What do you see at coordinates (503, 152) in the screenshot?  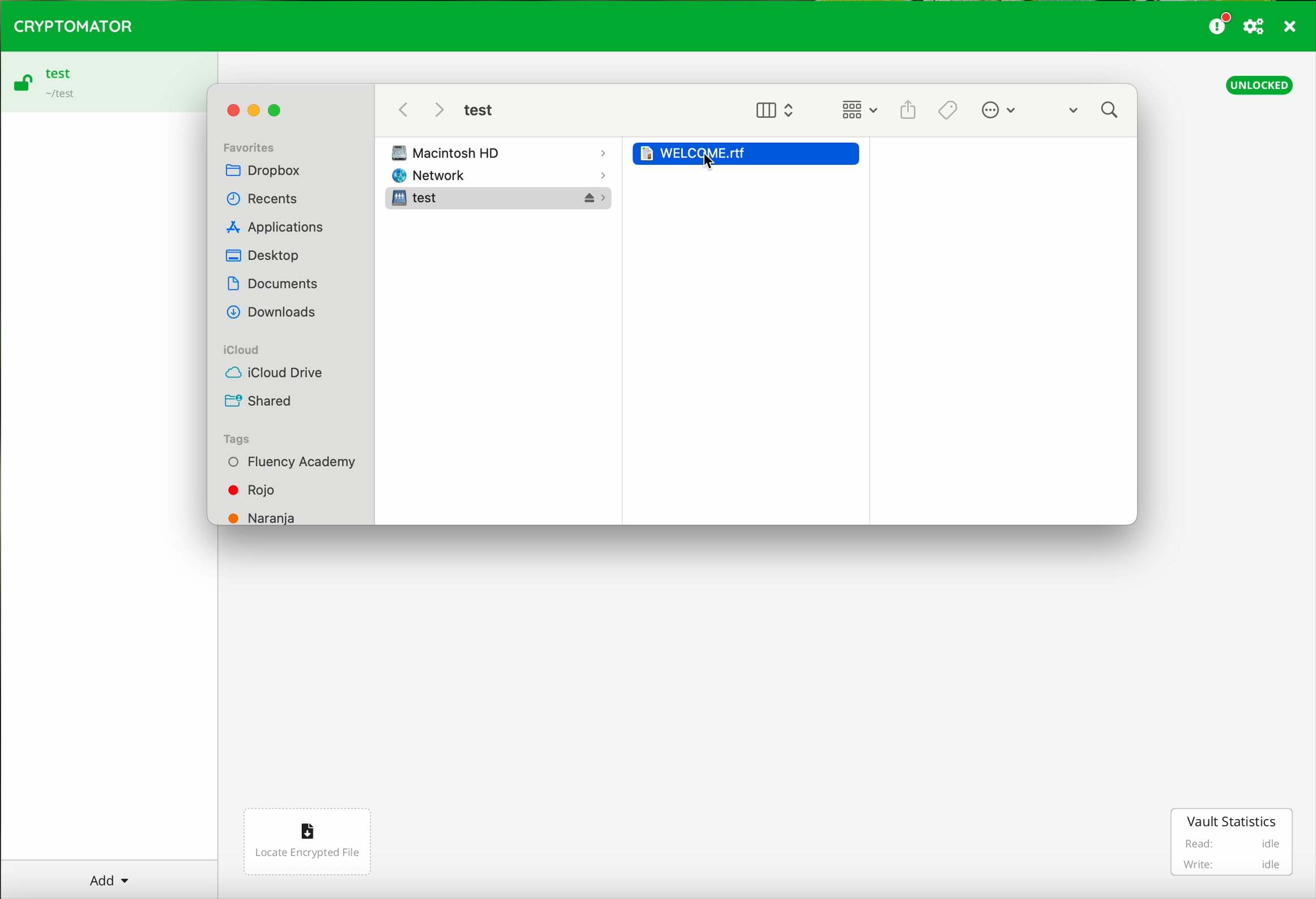 I see `Macintosh HD` at bounding box center [503, 152].